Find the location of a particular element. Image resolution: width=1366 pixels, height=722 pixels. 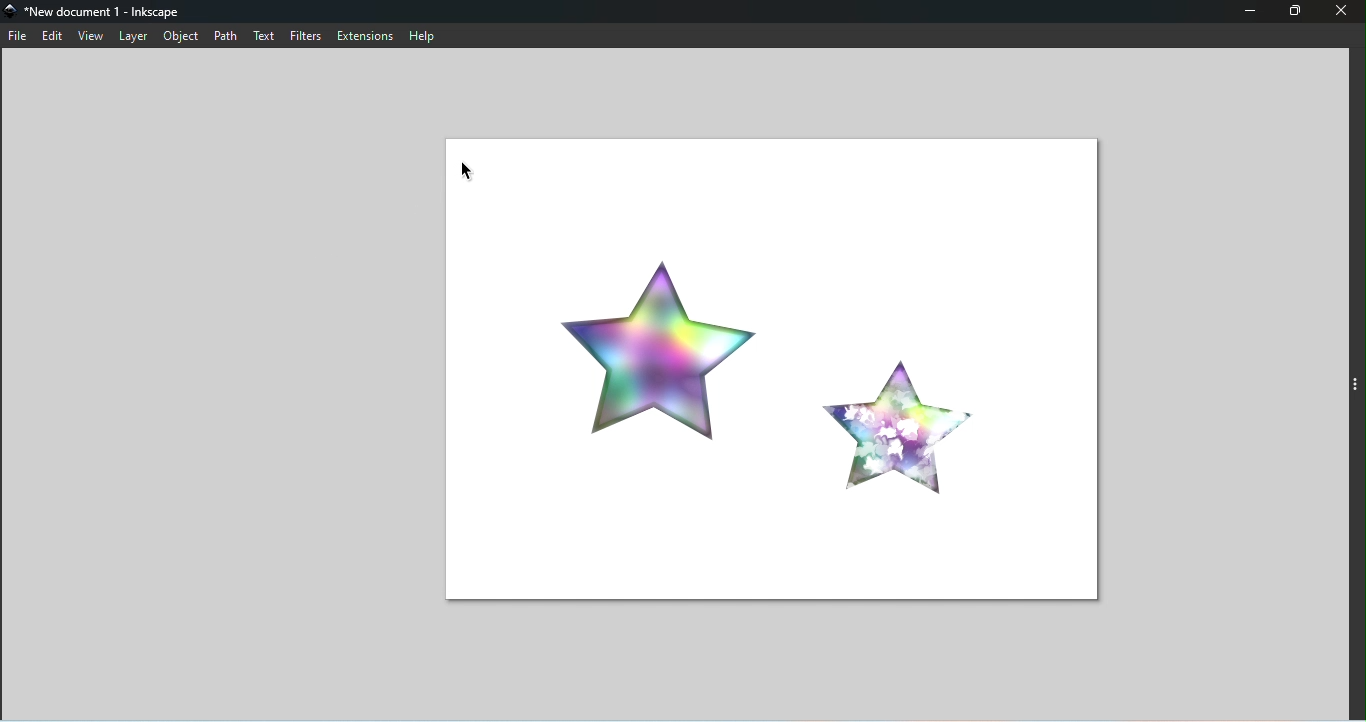

File is located at coordinates (17, 37).